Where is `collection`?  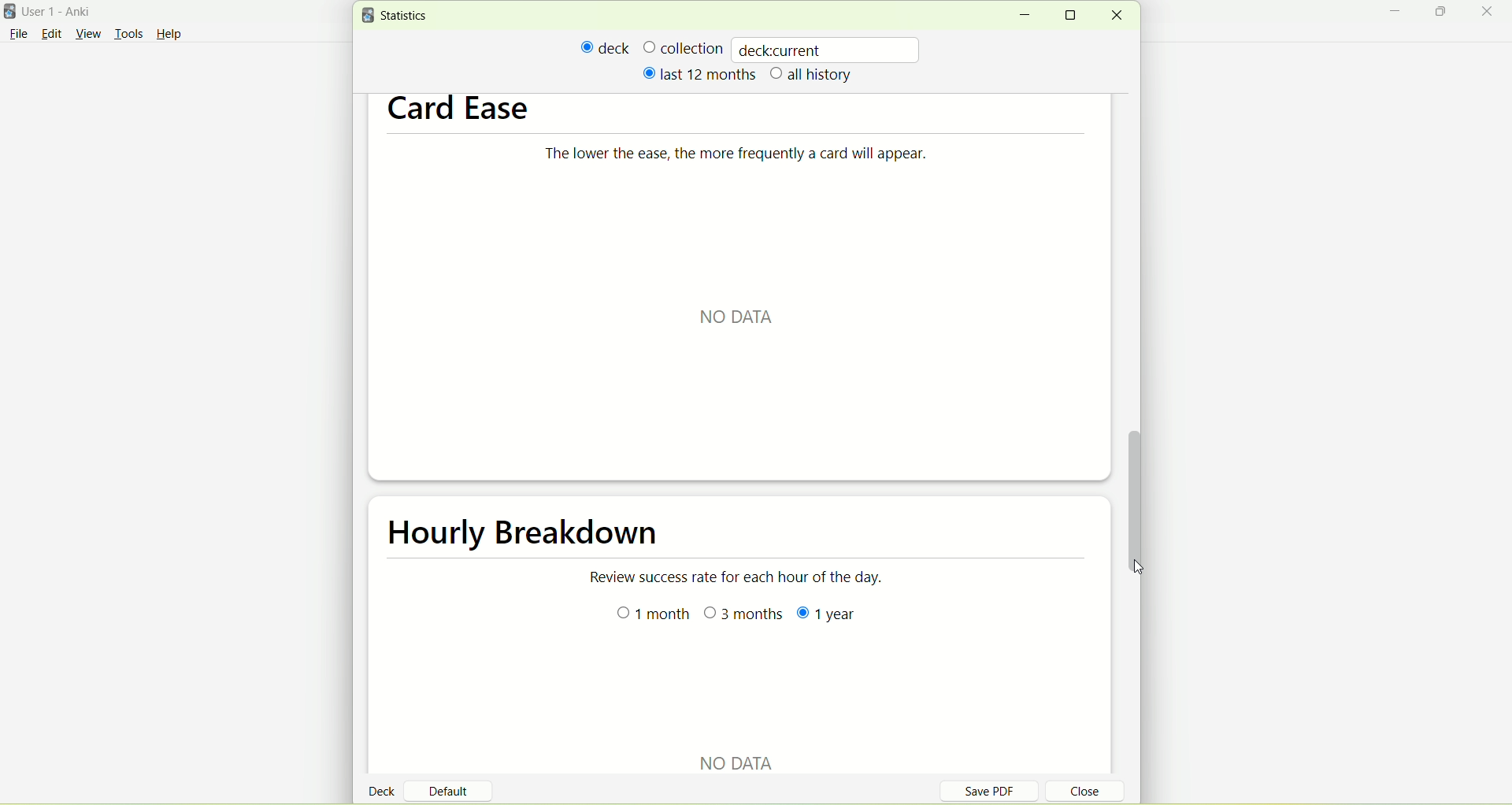 collection is located at coordinates (683, 47).